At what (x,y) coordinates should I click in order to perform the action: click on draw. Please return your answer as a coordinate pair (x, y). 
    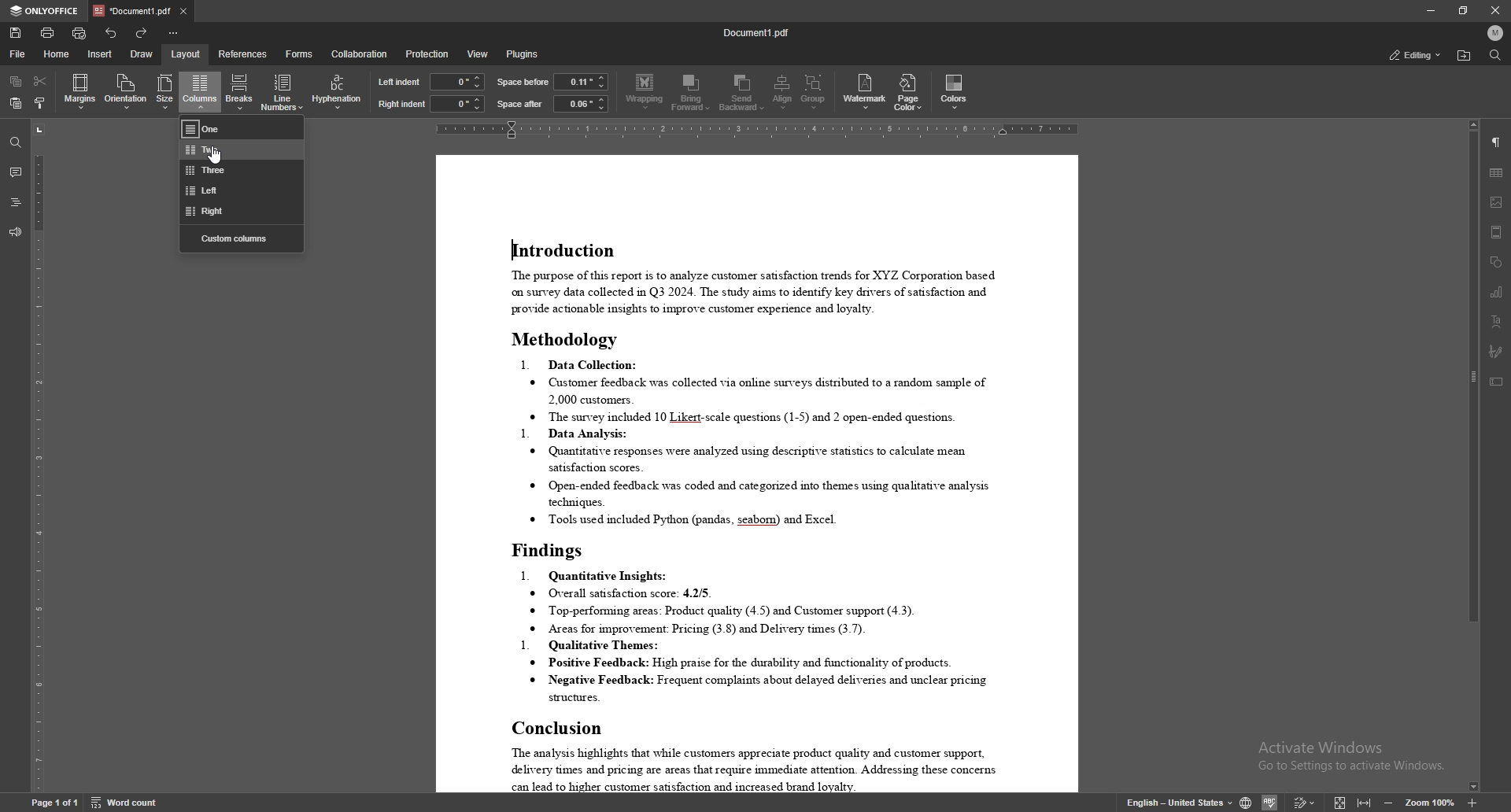
    Looking at the image, I should click on (143, 54).